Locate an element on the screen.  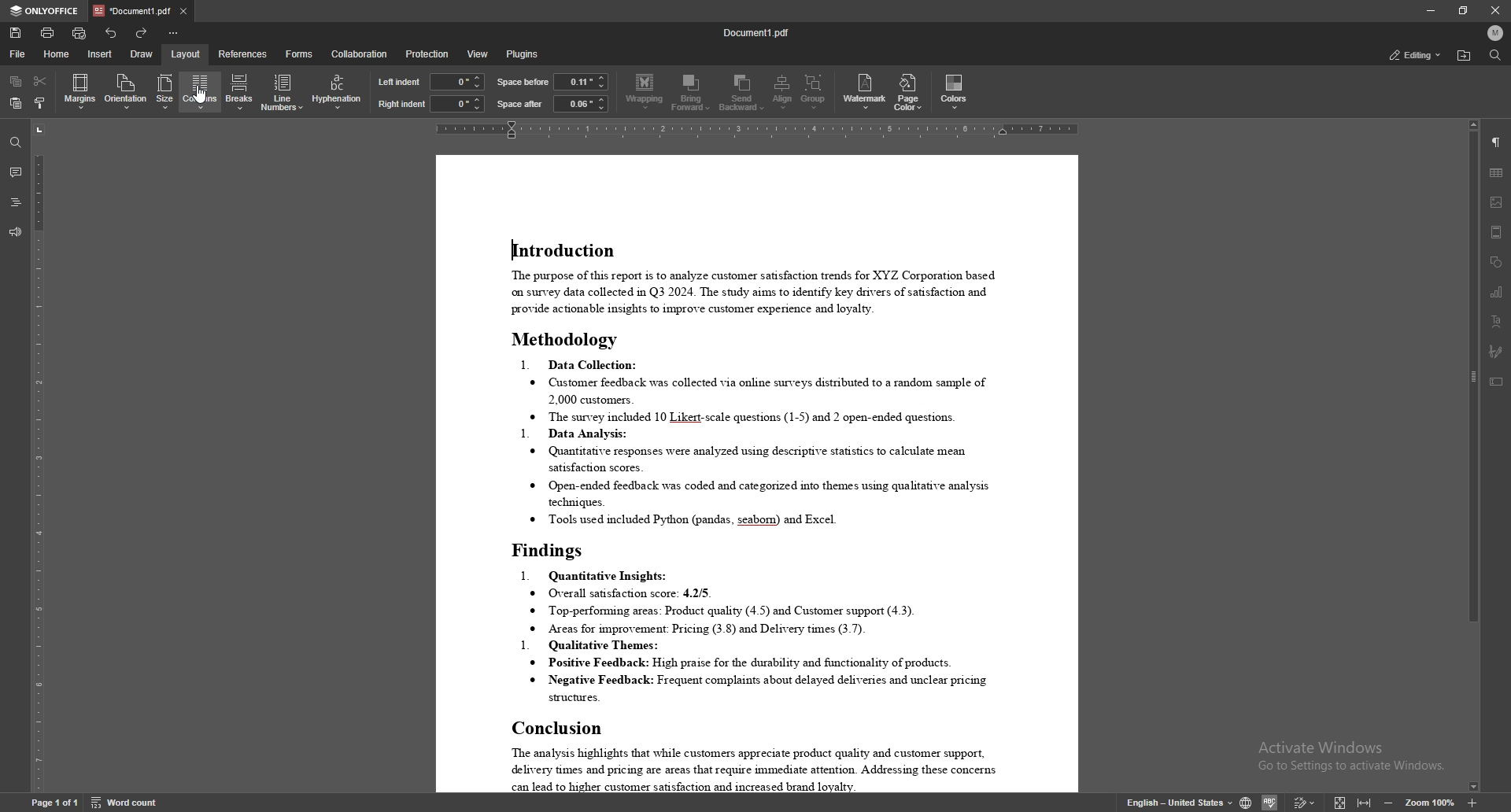
feedback is located at coordinates (16, 232).